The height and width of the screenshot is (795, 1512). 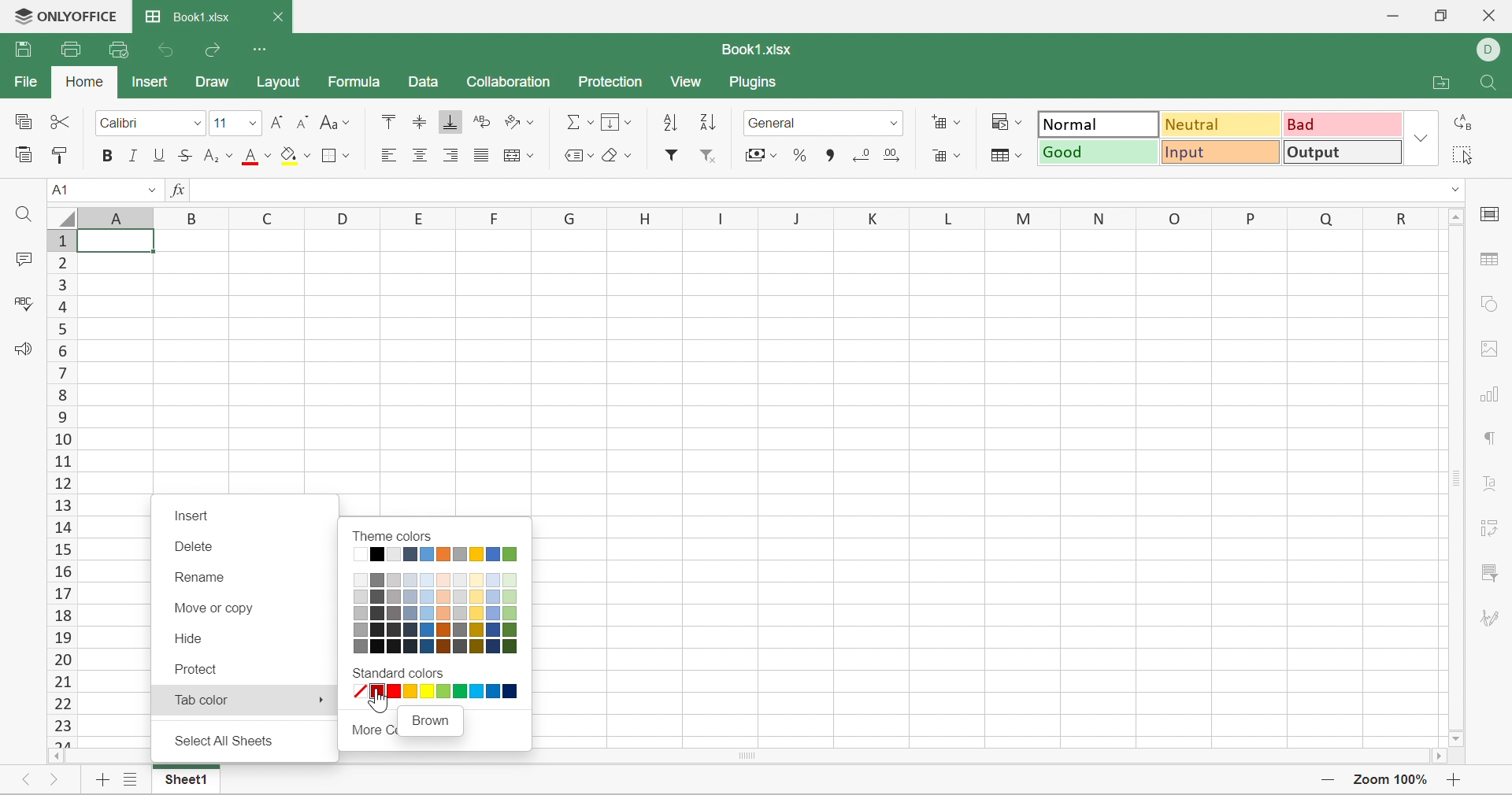 What do you see at coordinates (84, 82) in the screenshot?
I see `Home` at bounding box center [84, 82].